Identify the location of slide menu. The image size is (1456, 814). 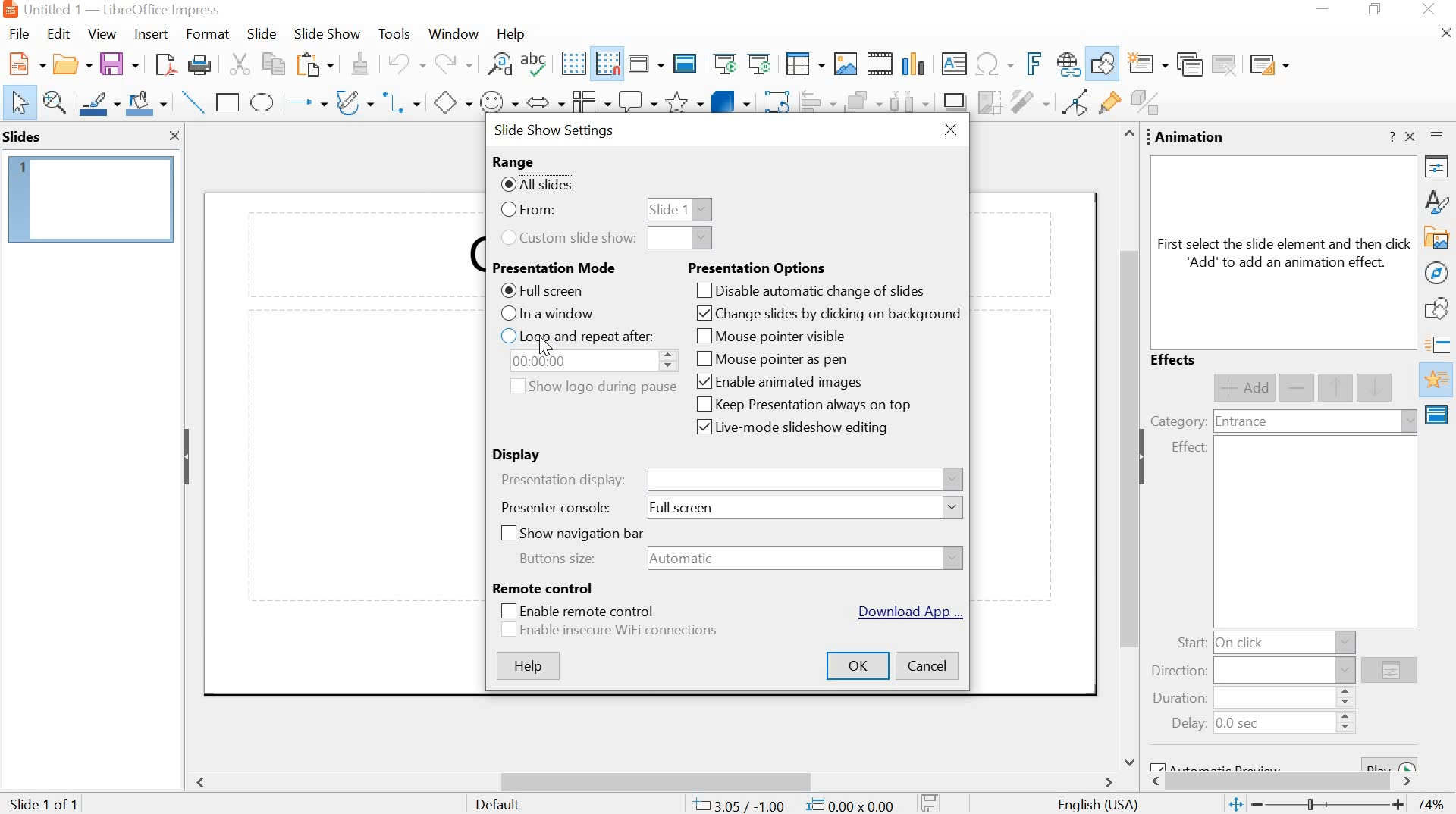
(260, 34).